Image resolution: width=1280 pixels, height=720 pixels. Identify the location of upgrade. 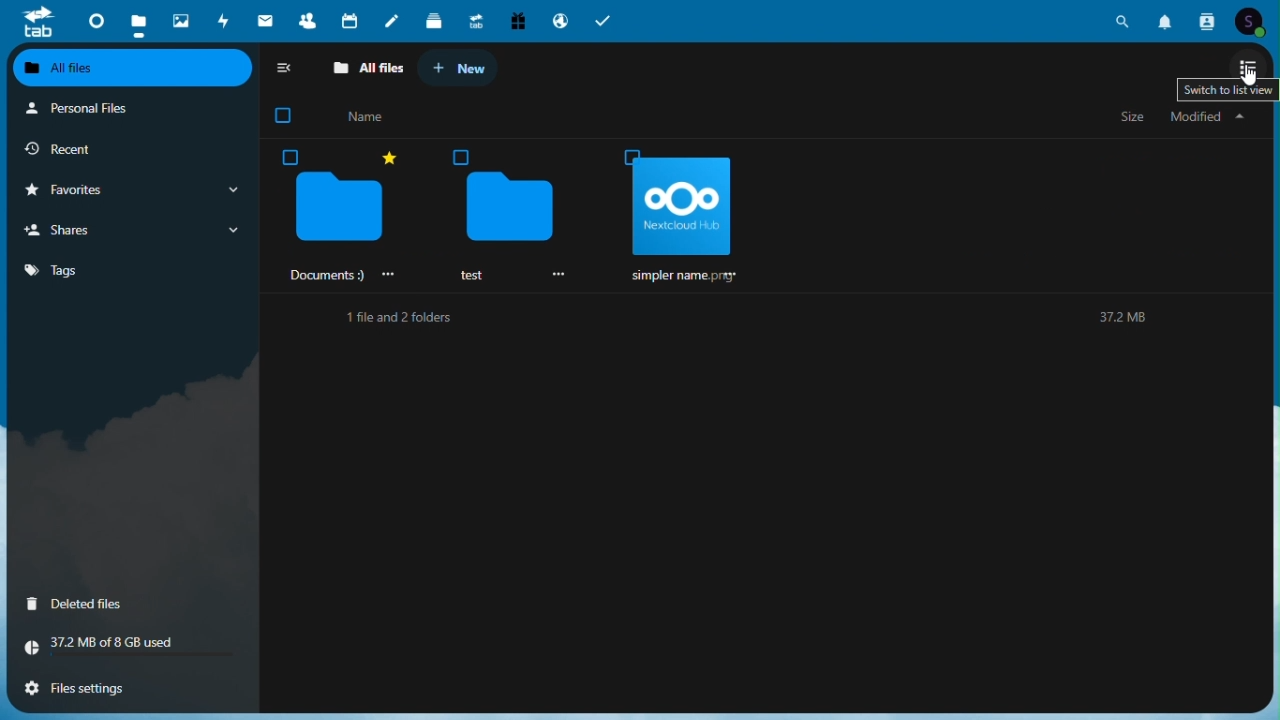
(475, 19).